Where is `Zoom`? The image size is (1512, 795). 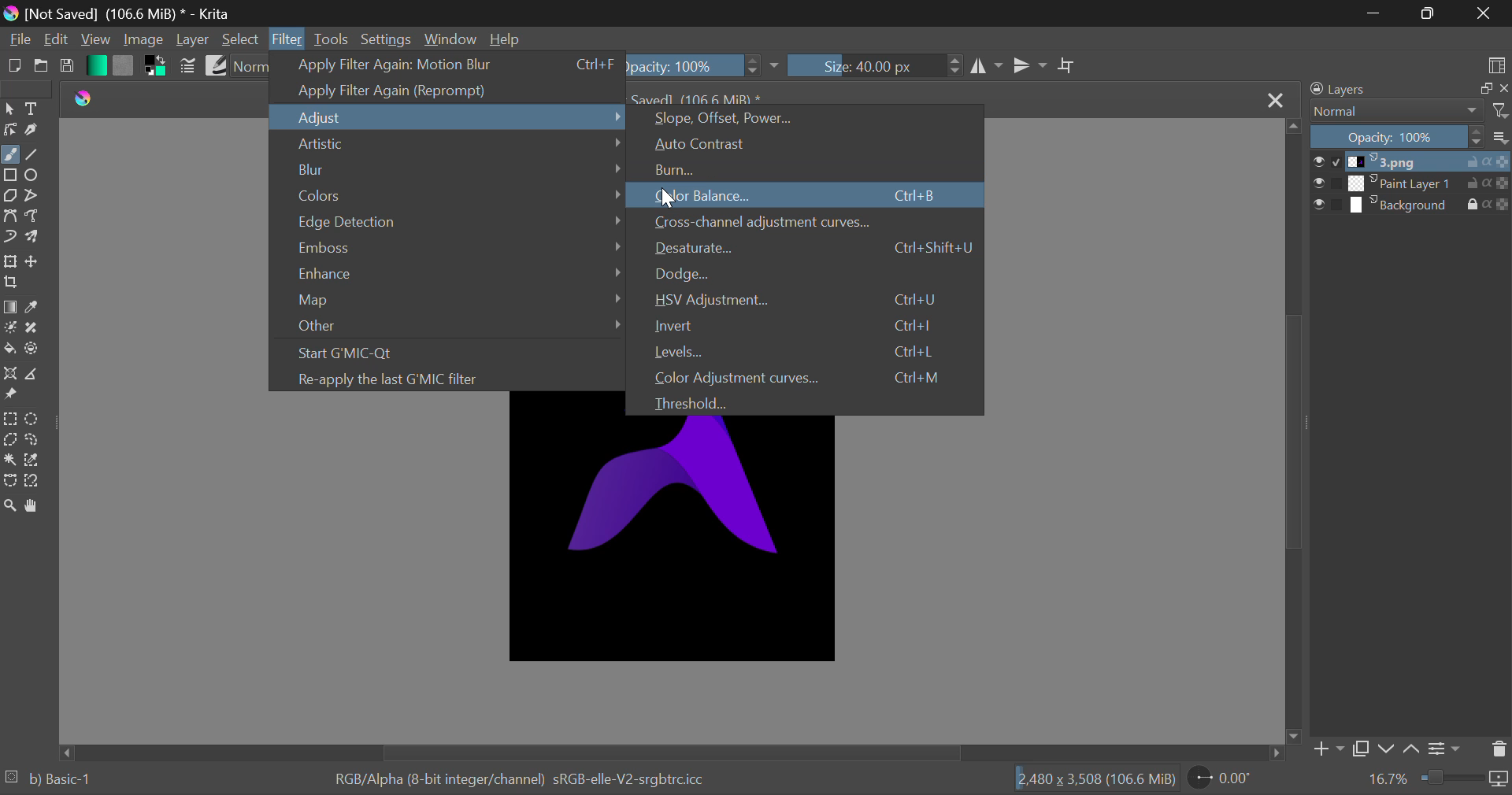 Zoom is located at coordinates (10, 505).